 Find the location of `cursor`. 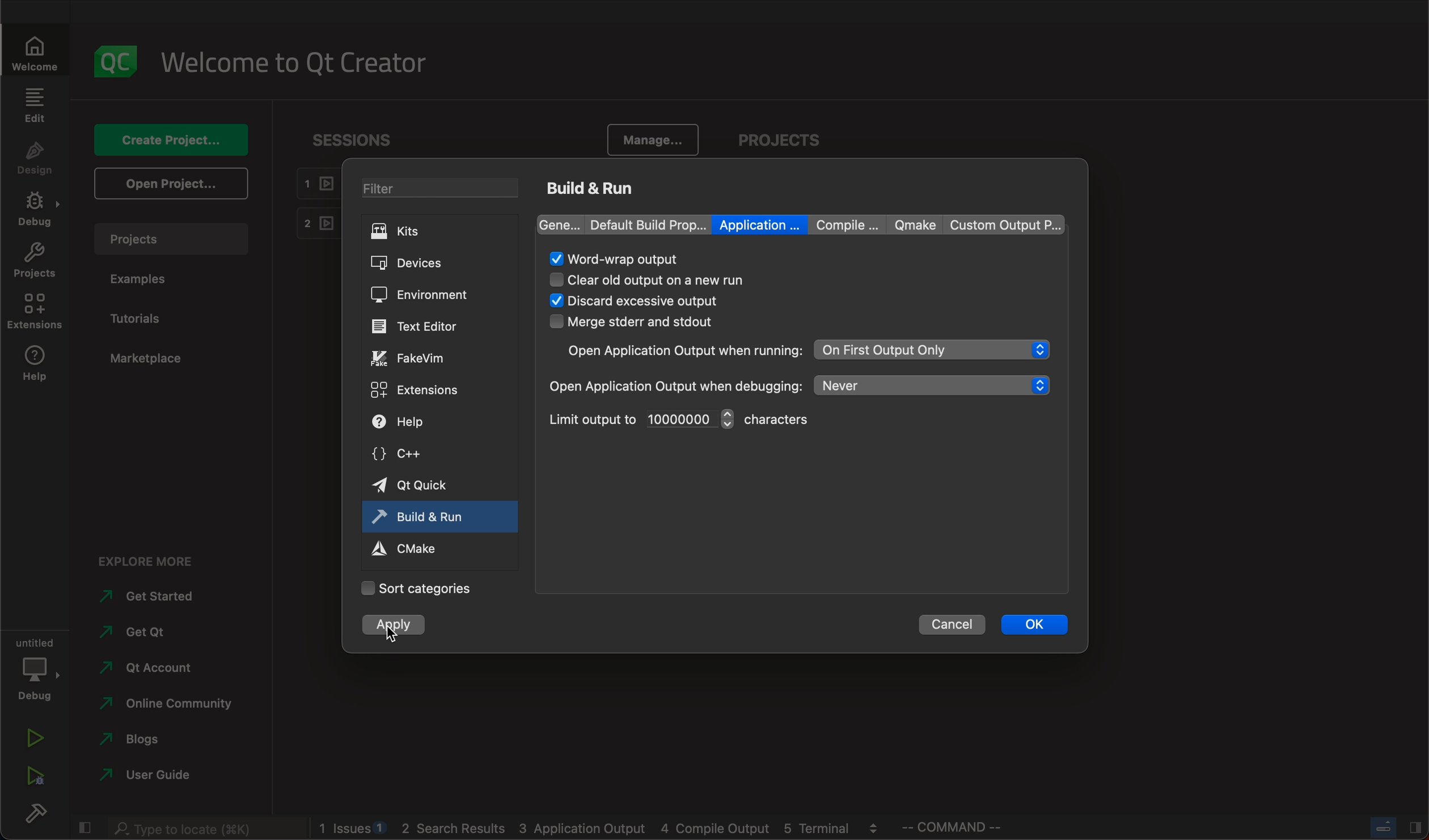

cursor is located at coordinates (391, 631).